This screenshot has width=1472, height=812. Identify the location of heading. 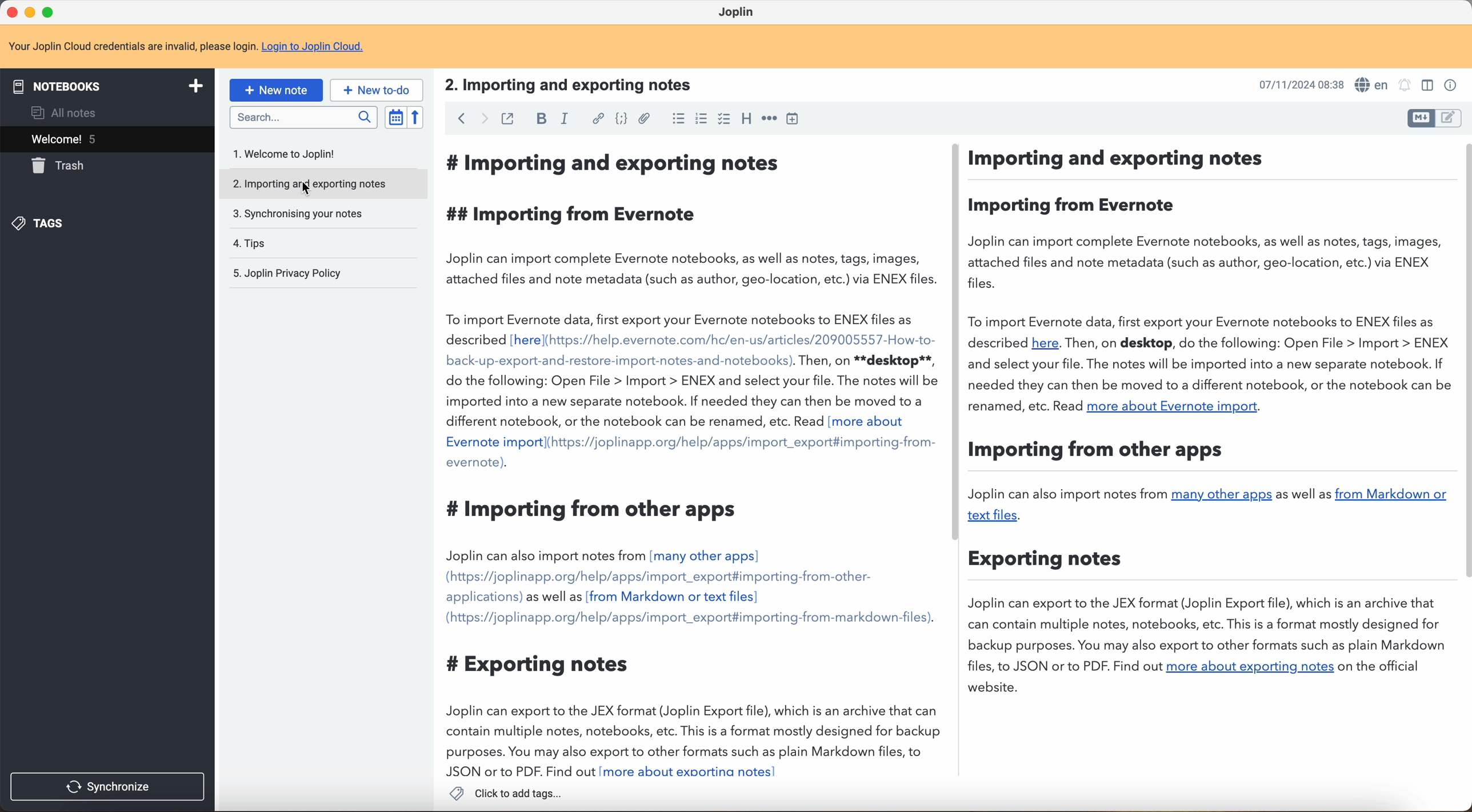
(746, 120).